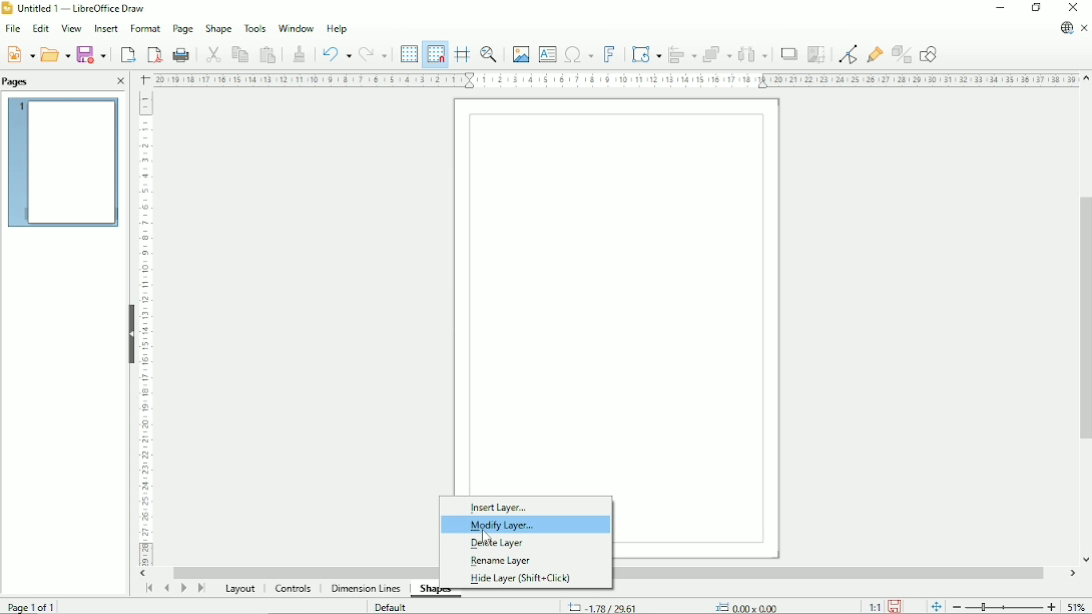  I want to click on Fit page to current window, so click(936, 606).